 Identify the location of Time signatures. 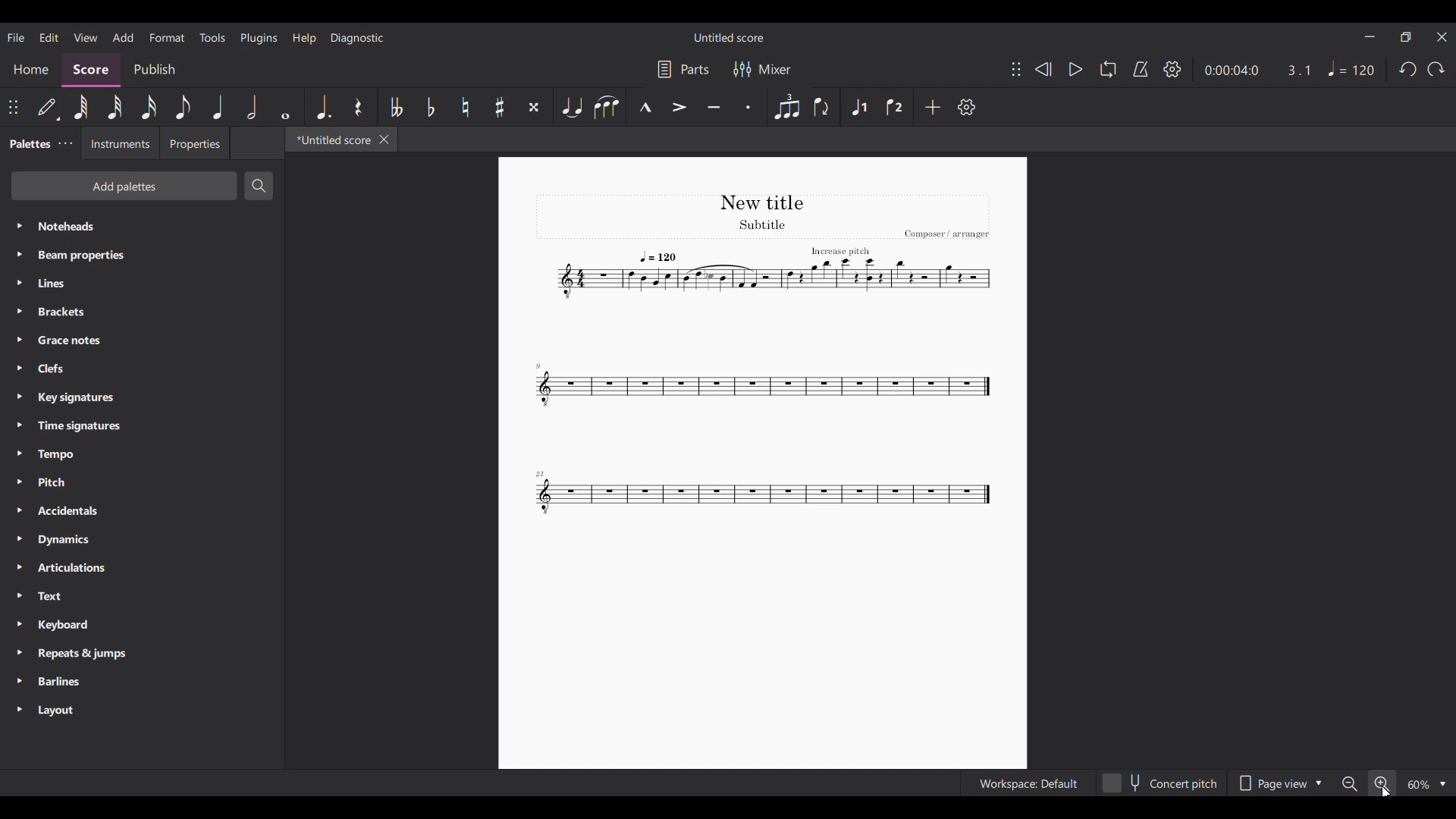
(142, 426).